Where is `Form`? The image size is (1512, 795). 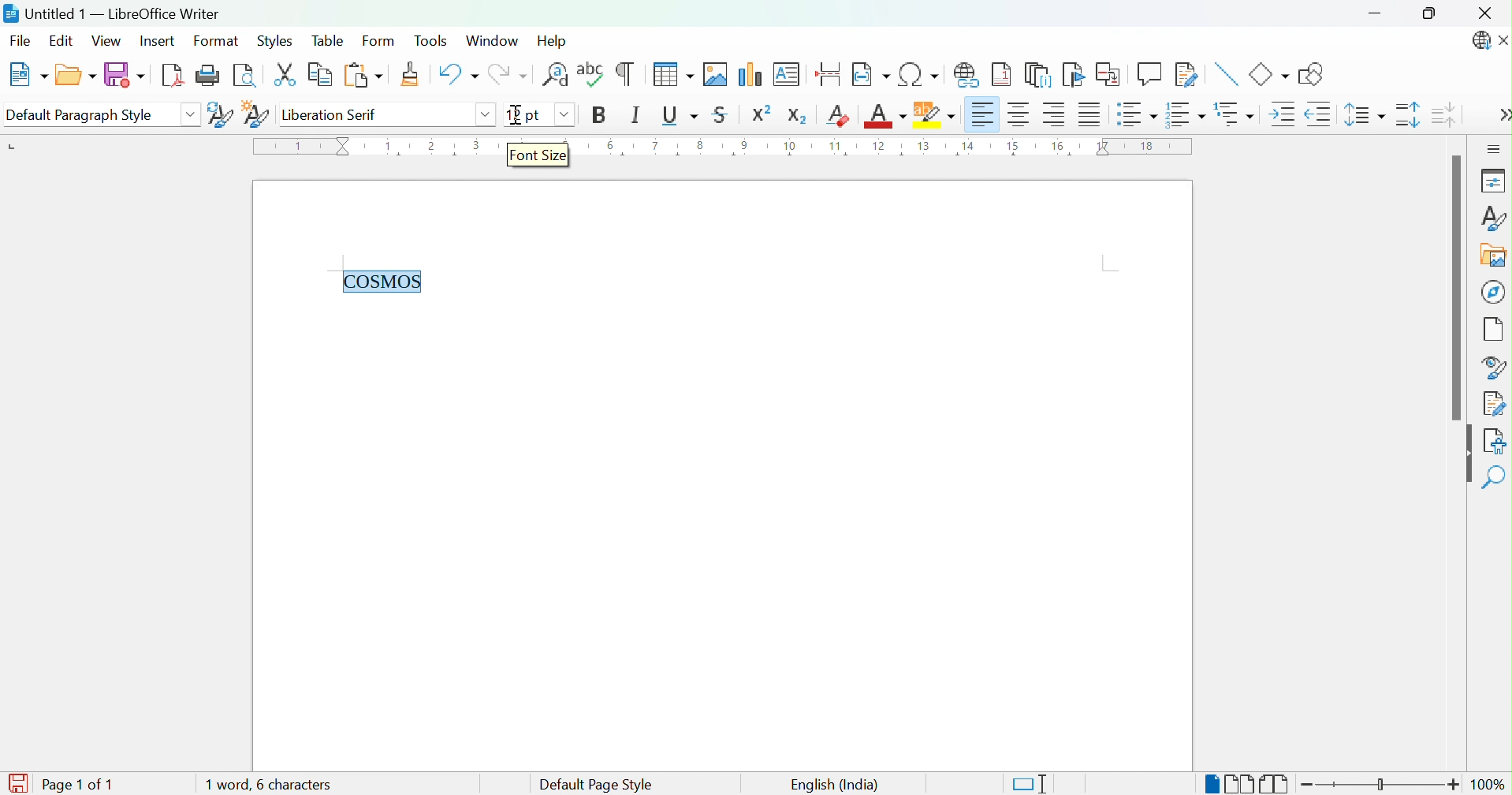 Form is located at coordinates (378, 42).